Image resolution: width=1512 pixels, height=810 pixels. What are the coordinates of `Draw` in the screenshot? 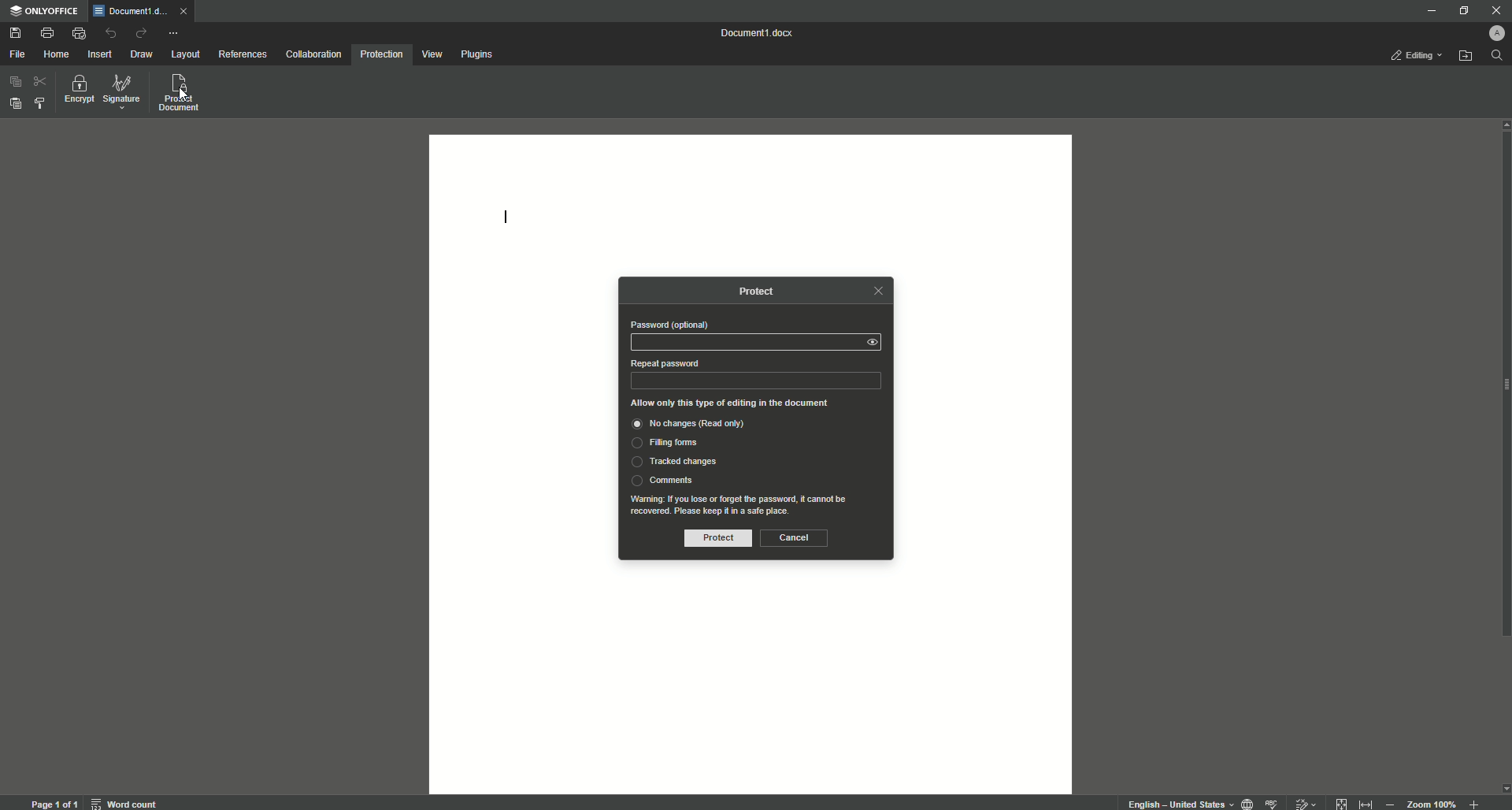 It's located at (143, 54).